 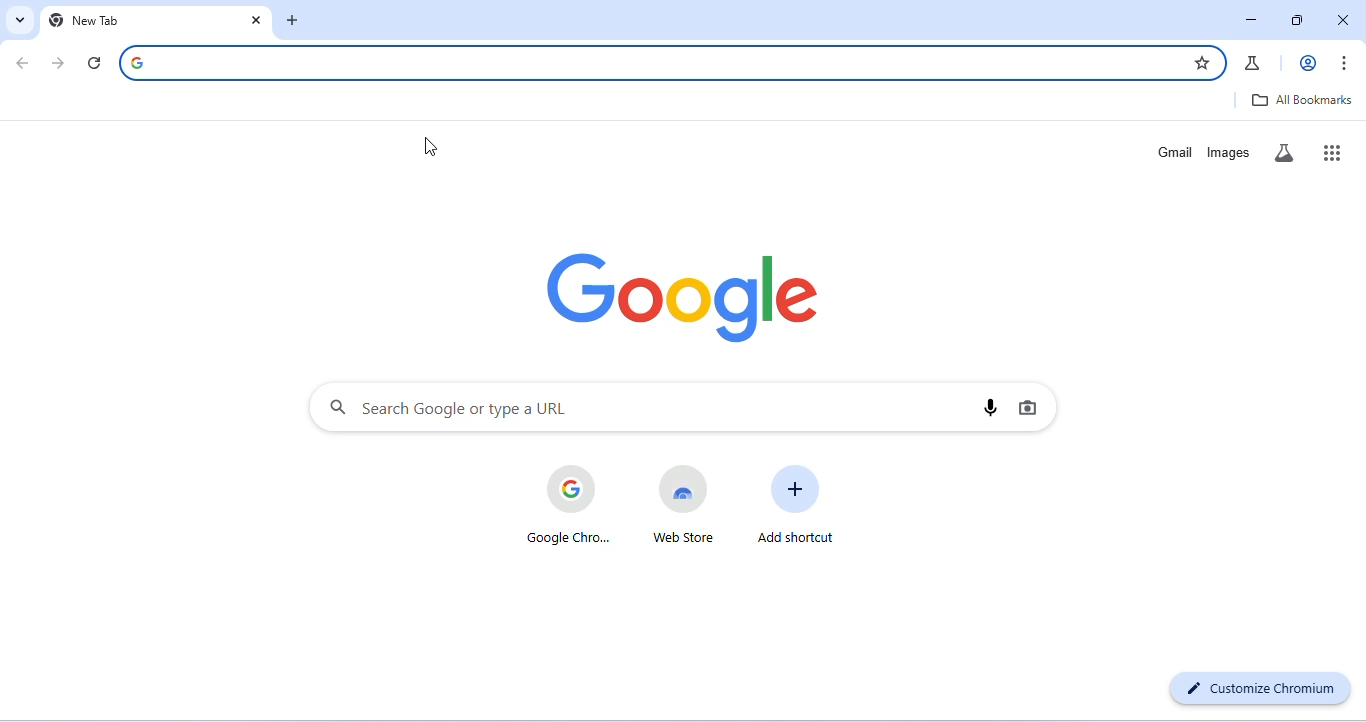 What do you see at coordinates (1328, 152) in the screenshot?
I see `google apps` at bounding box center [1328, 152].